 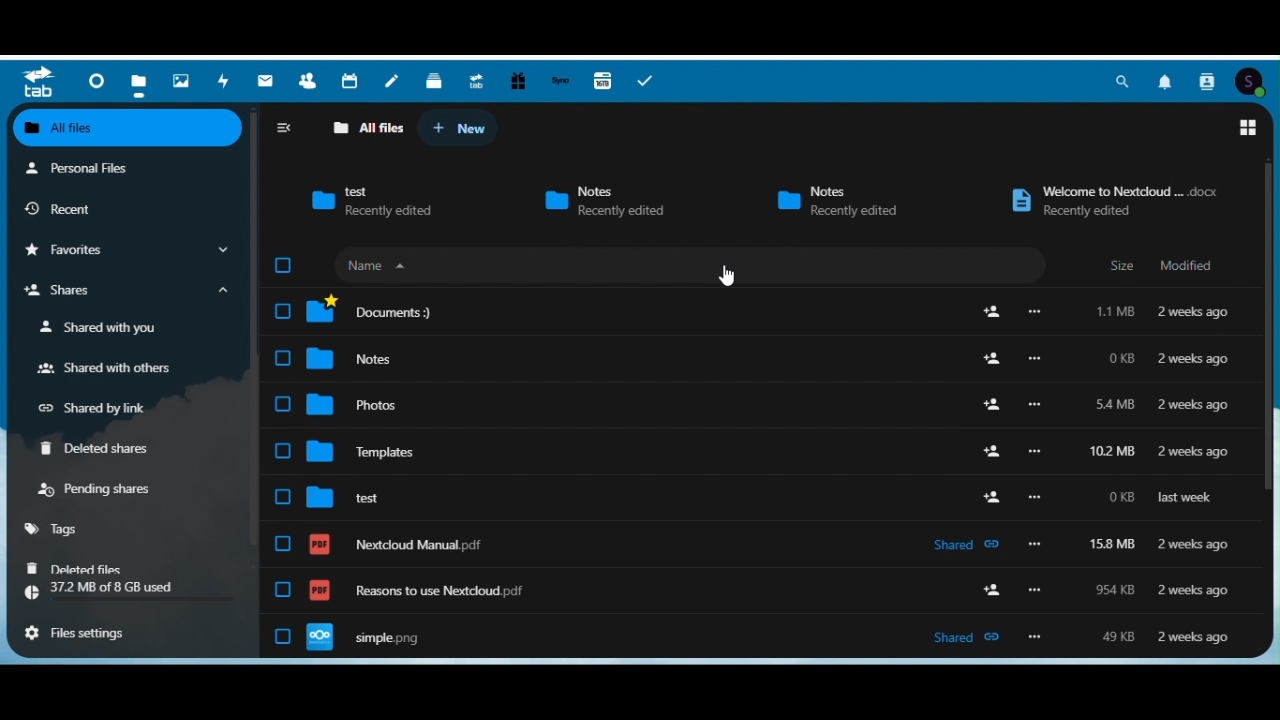 What do you see at coordinates (131, 128) in the screenshot?
I see `All files` at bounding box center [131, 128].